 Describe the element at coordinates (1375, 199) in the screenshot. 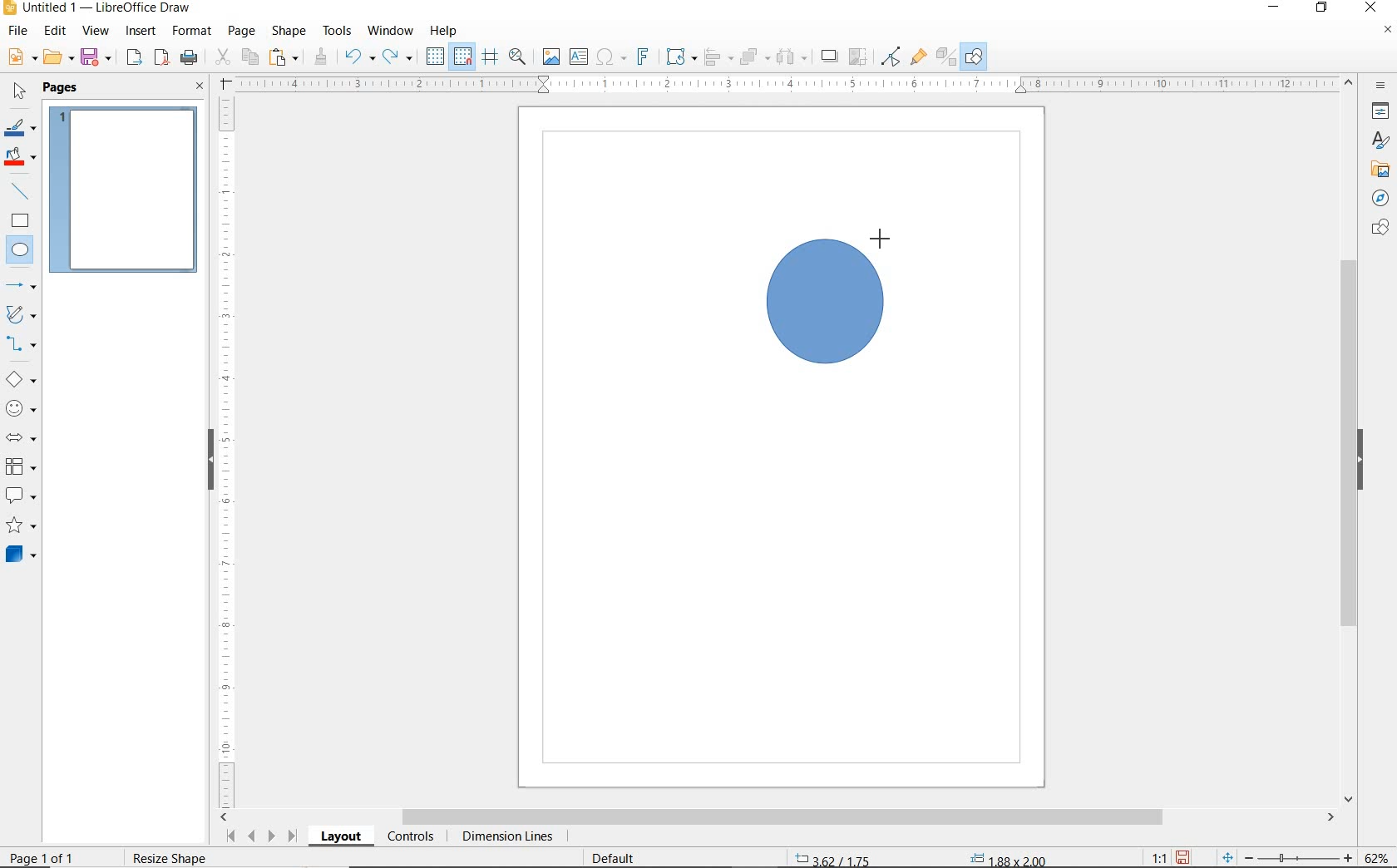

I see `NAVIGATOR` at that location.